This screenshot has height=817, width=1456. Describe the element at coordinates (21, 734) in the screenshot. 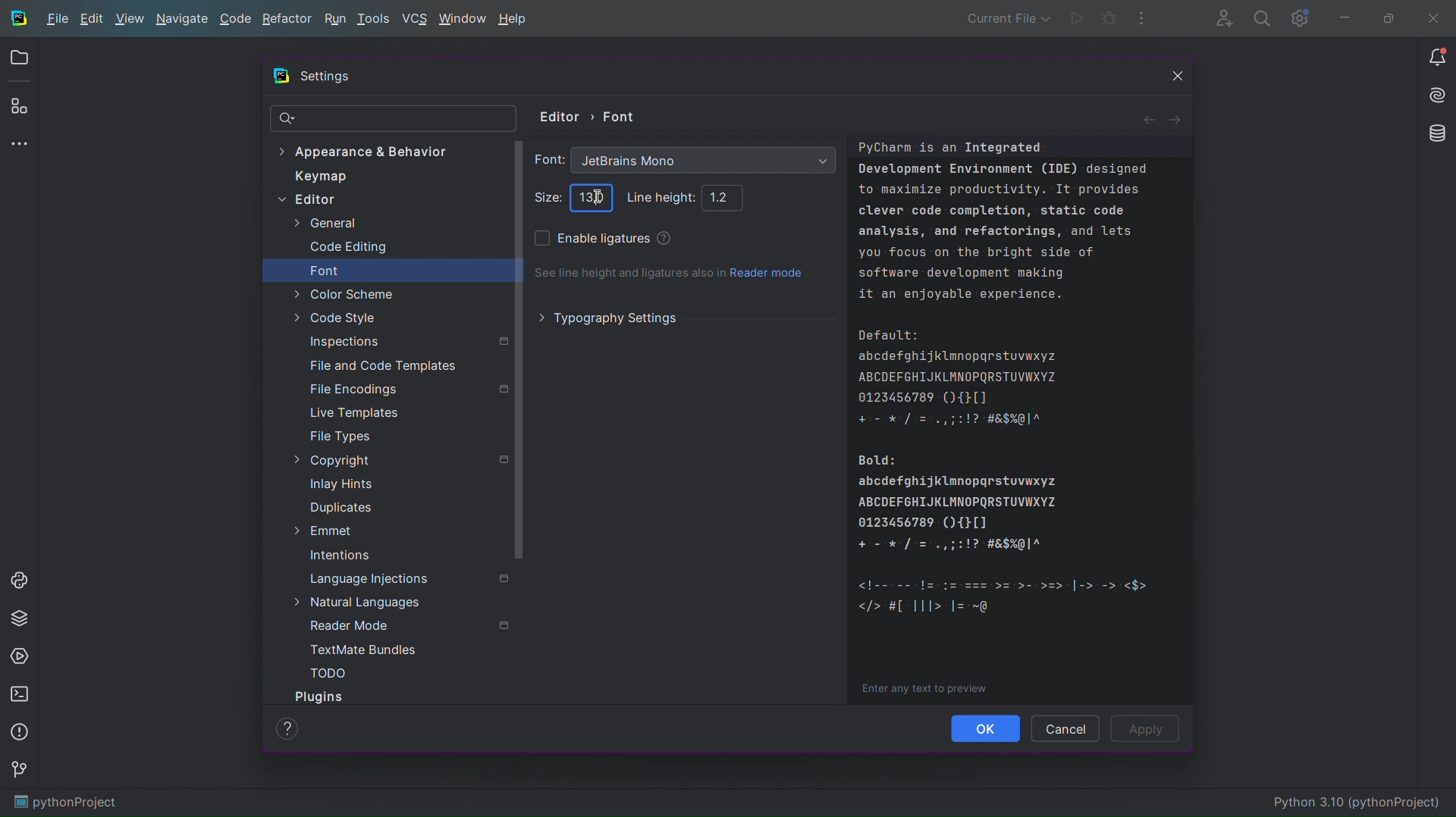

I see `Problems` at that location.